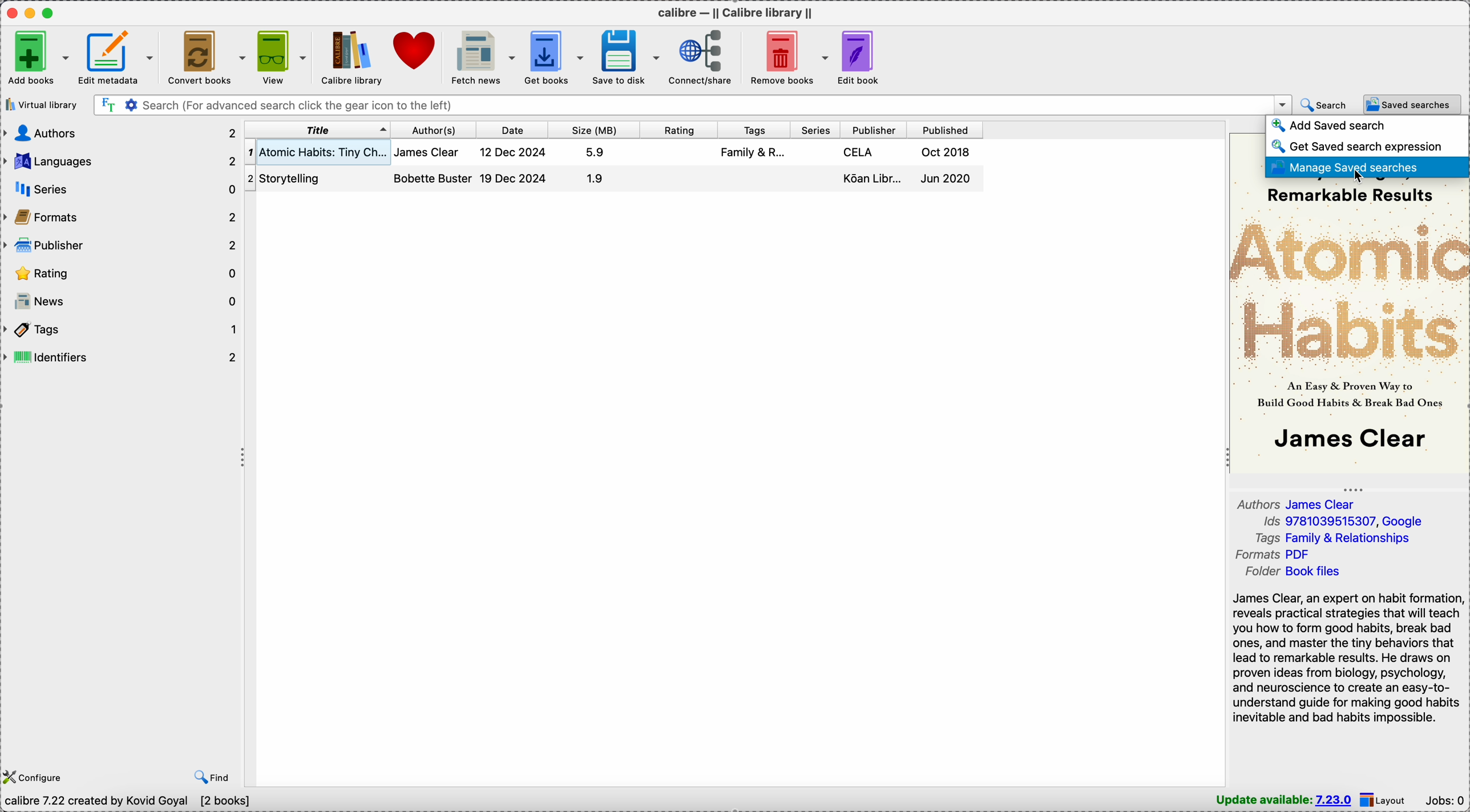 The width and height of the screenshot is (1470, 812). Describe the element at coordinates (871, 131) in the screenshot. I see `publisher` at that location.